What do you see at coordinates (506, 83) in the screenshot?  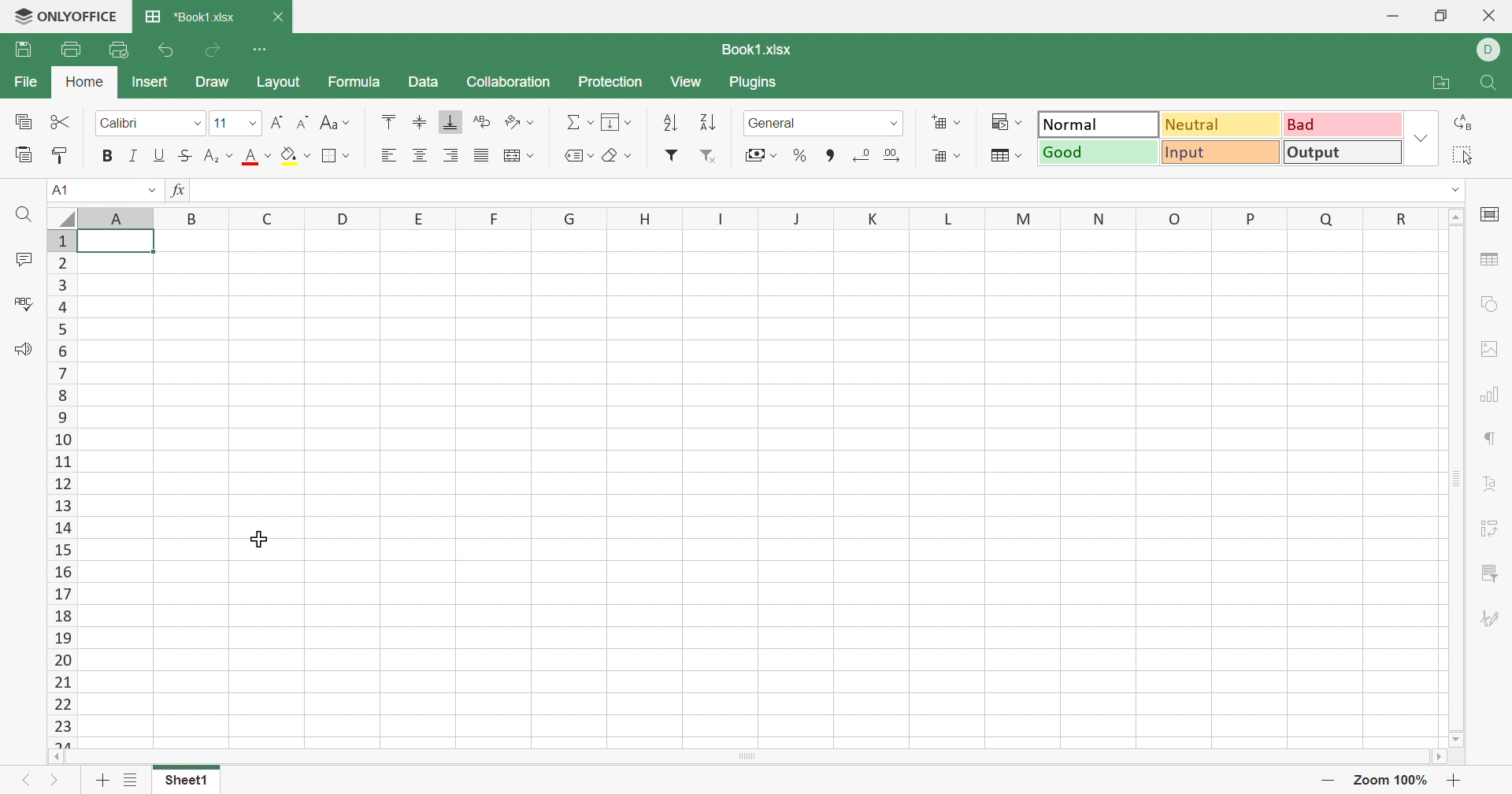 I see `Collaboration` at bounding box center [506, 83].